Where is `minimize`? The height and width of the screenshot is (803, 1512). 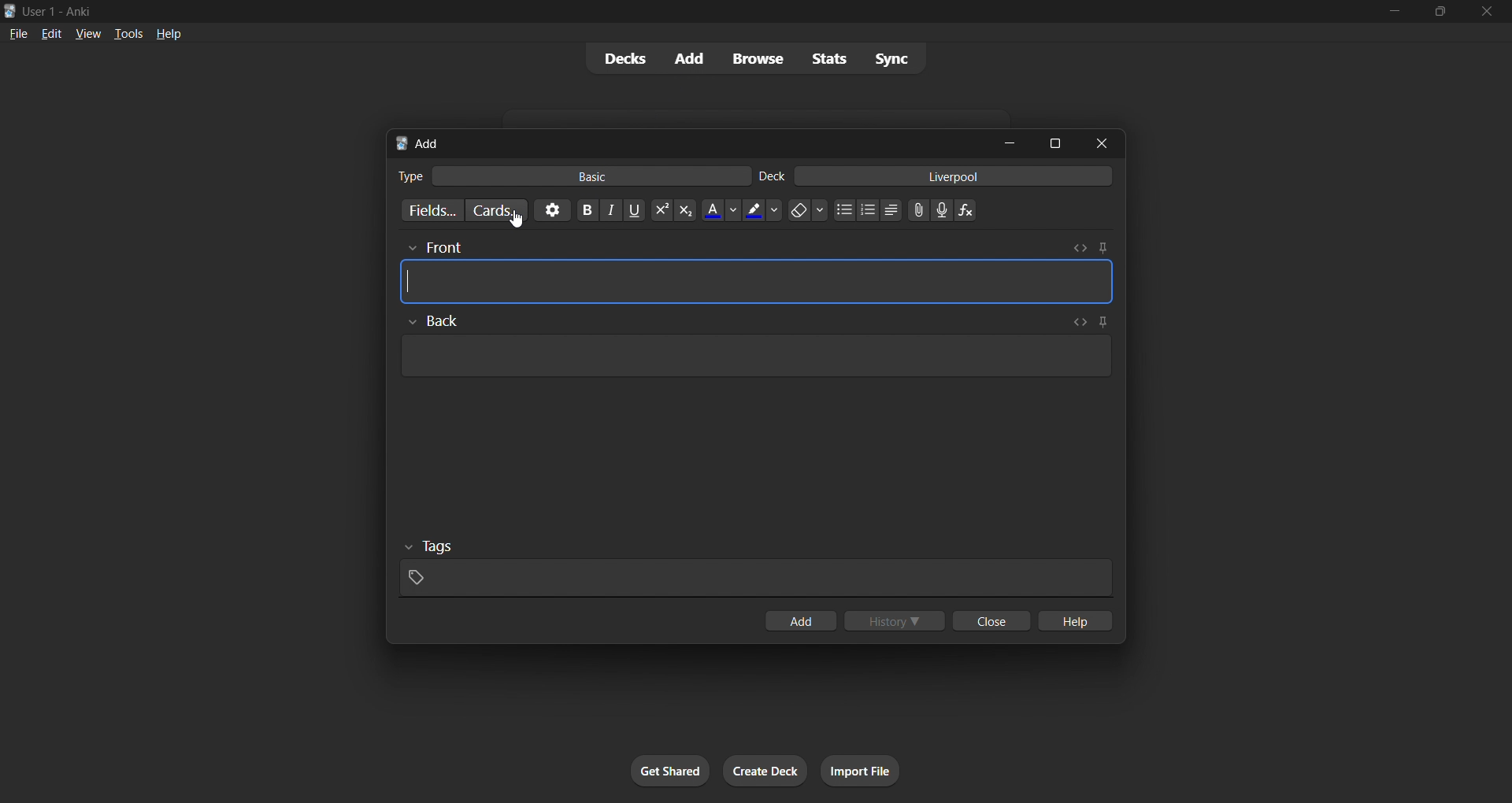
minimize is located at coordinates (1384, 12).